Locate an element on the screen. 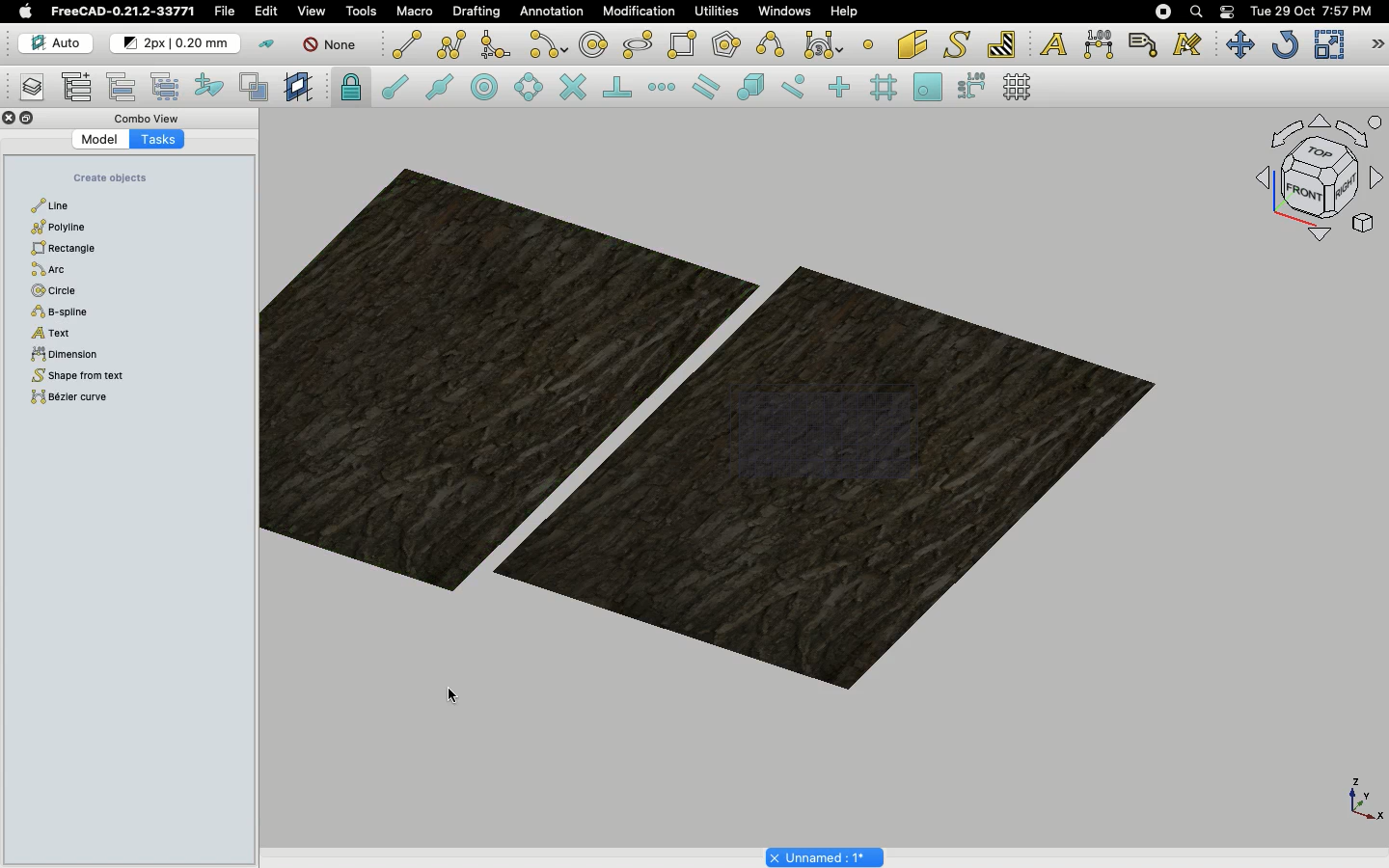 The height and width of the screenshot is (868, 1389). Tasks is located at coordinates (157, 138).